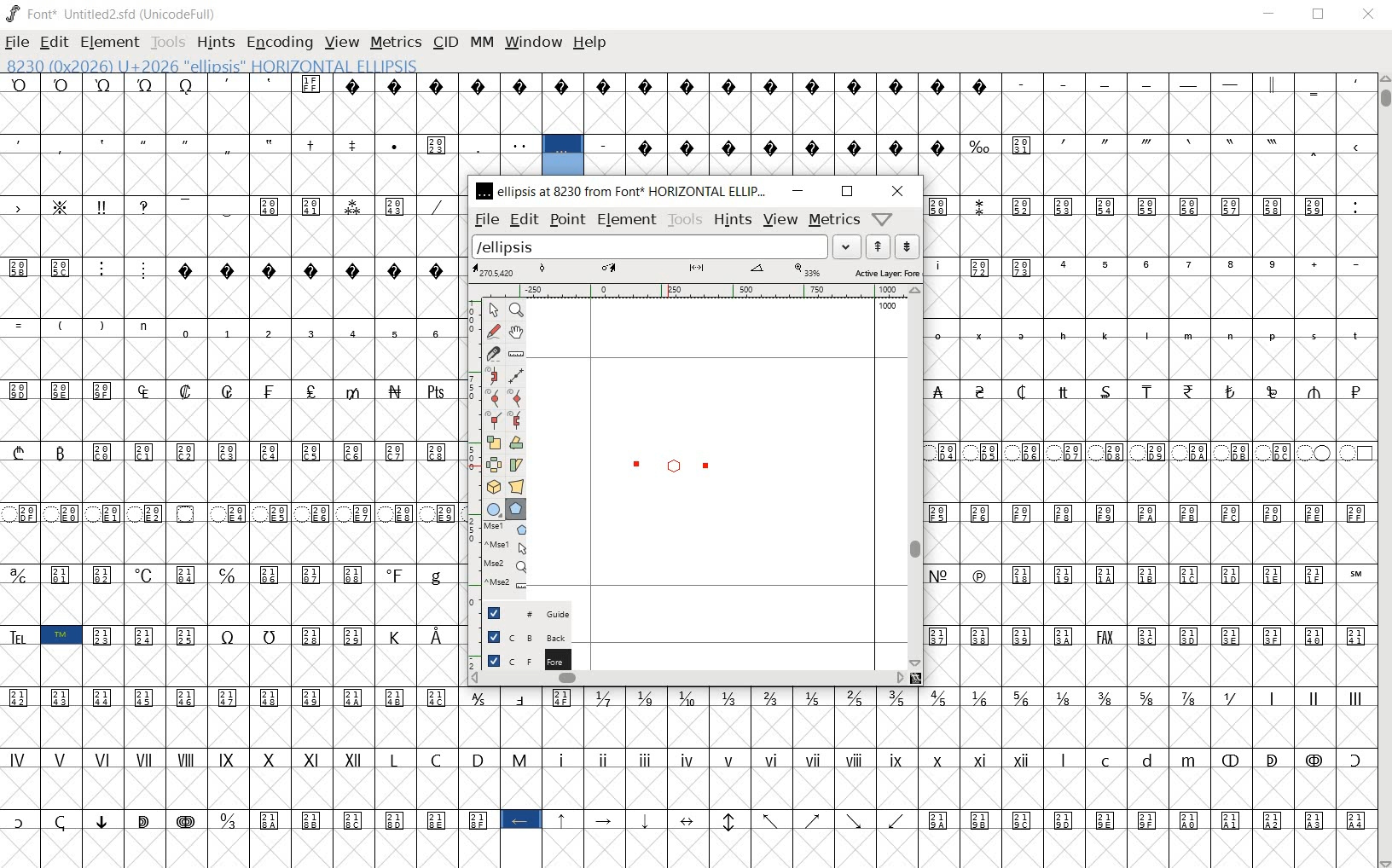 This screenshot has height=868, width=1392. Describe the element at coordinates (518, 396) in the screenshot. I see `add a curve point always either horizontal or vertical` at that location.